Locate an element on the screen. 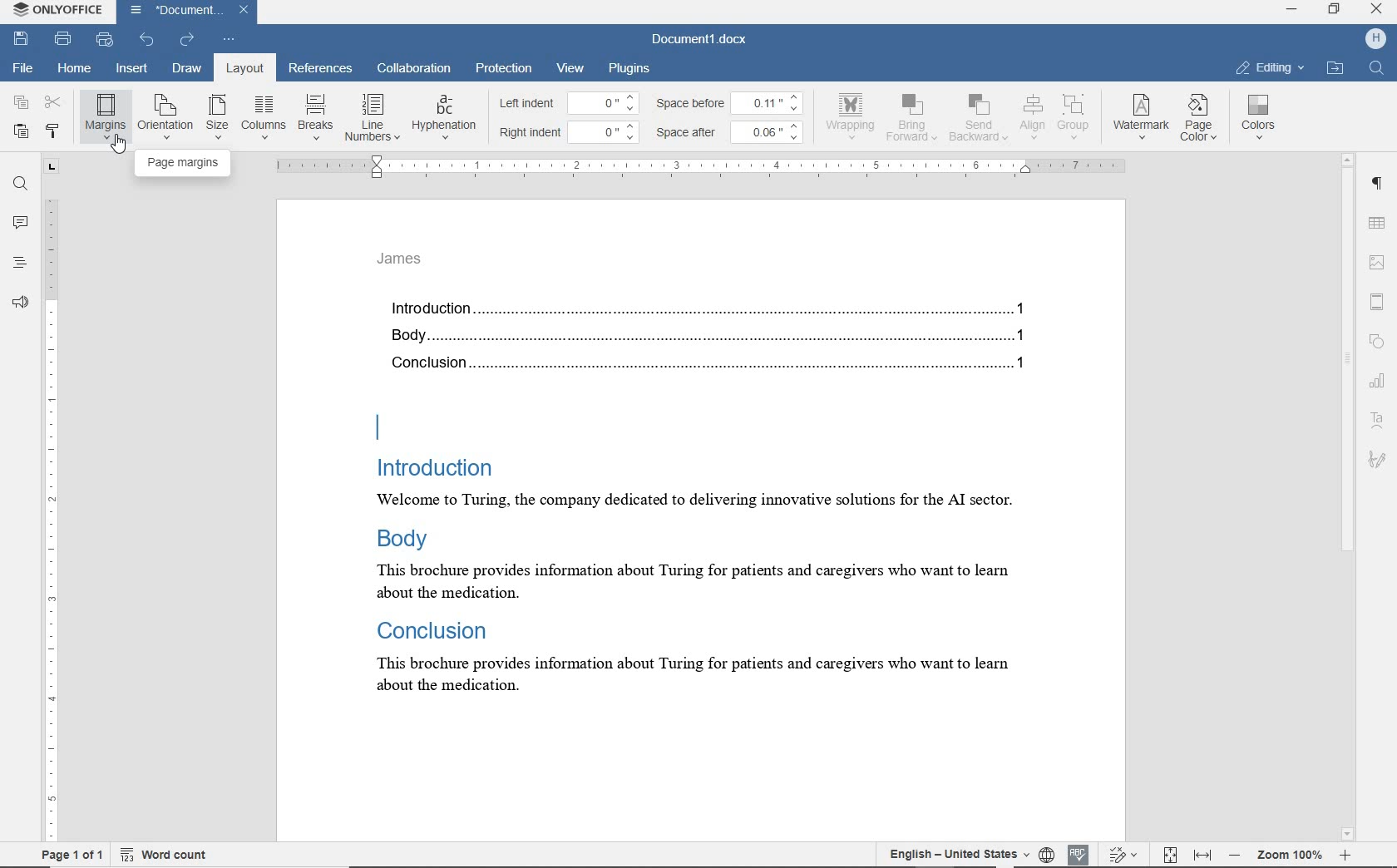  paste is located at coordinates (21, 131).